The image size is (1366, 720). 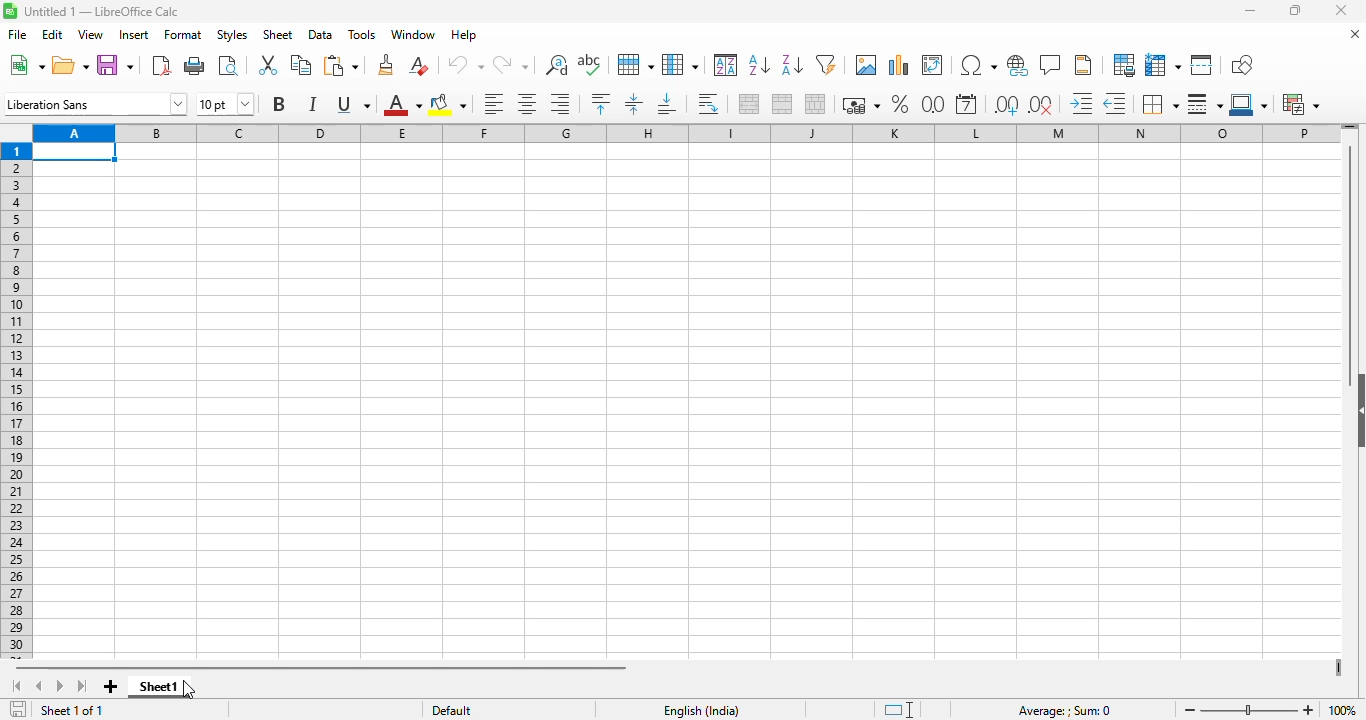 I want to click on define print area, so click(x=1124, y=65).